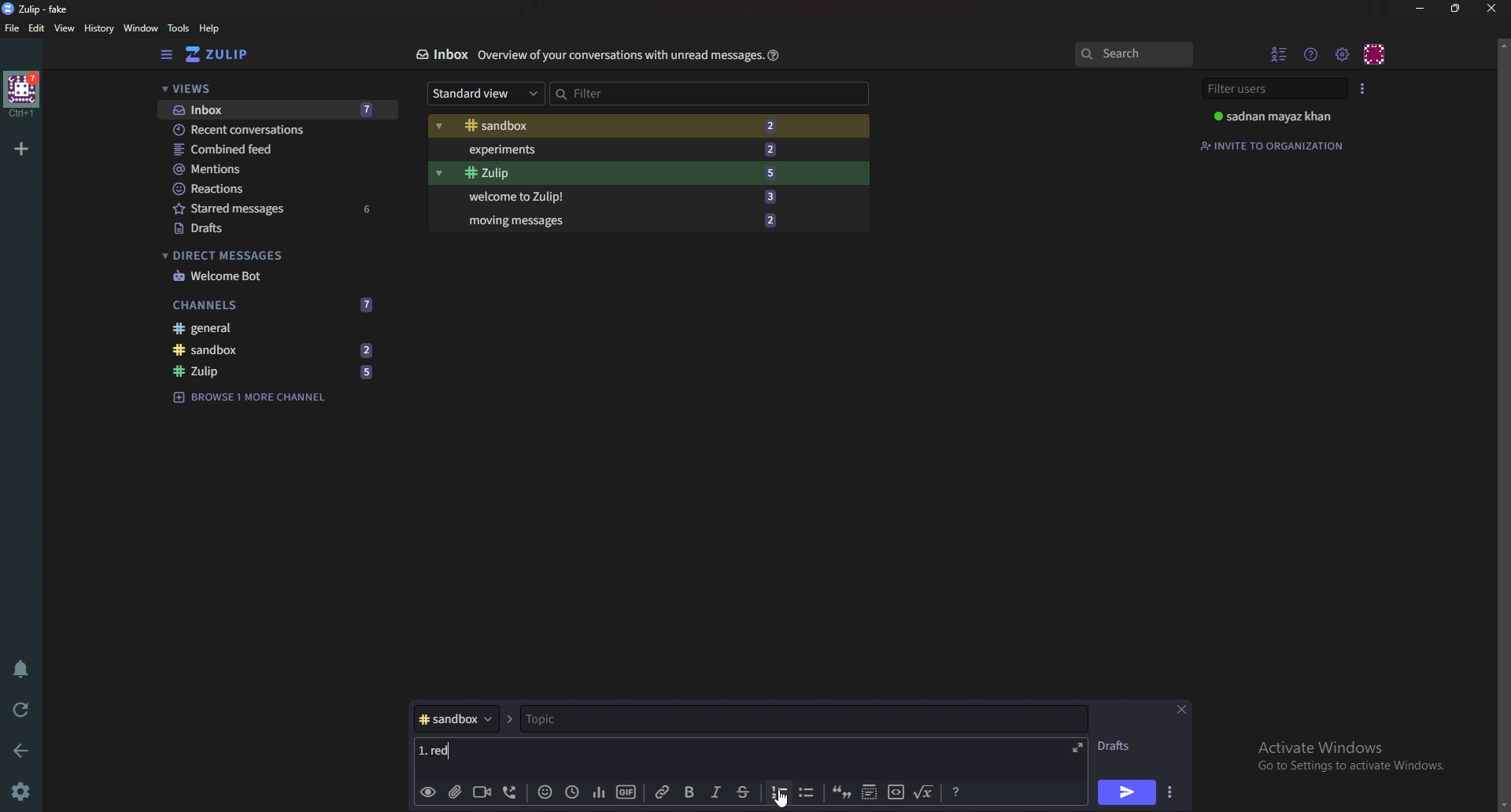 This screenshot has height=812, width=1511. I want to click on Drafts, so click(272, 228).